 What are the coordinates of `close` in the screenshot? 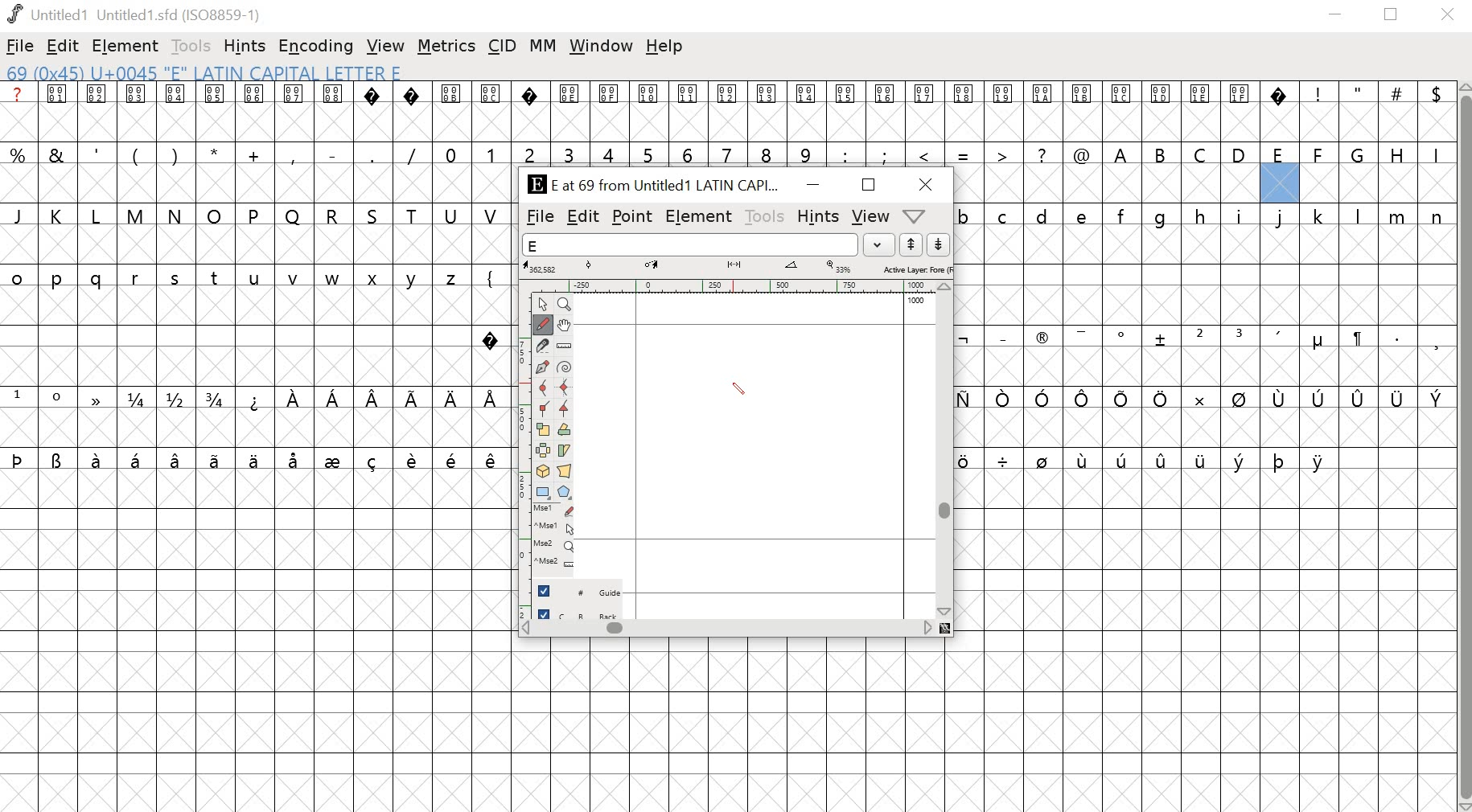 It's located at (1448, 15).